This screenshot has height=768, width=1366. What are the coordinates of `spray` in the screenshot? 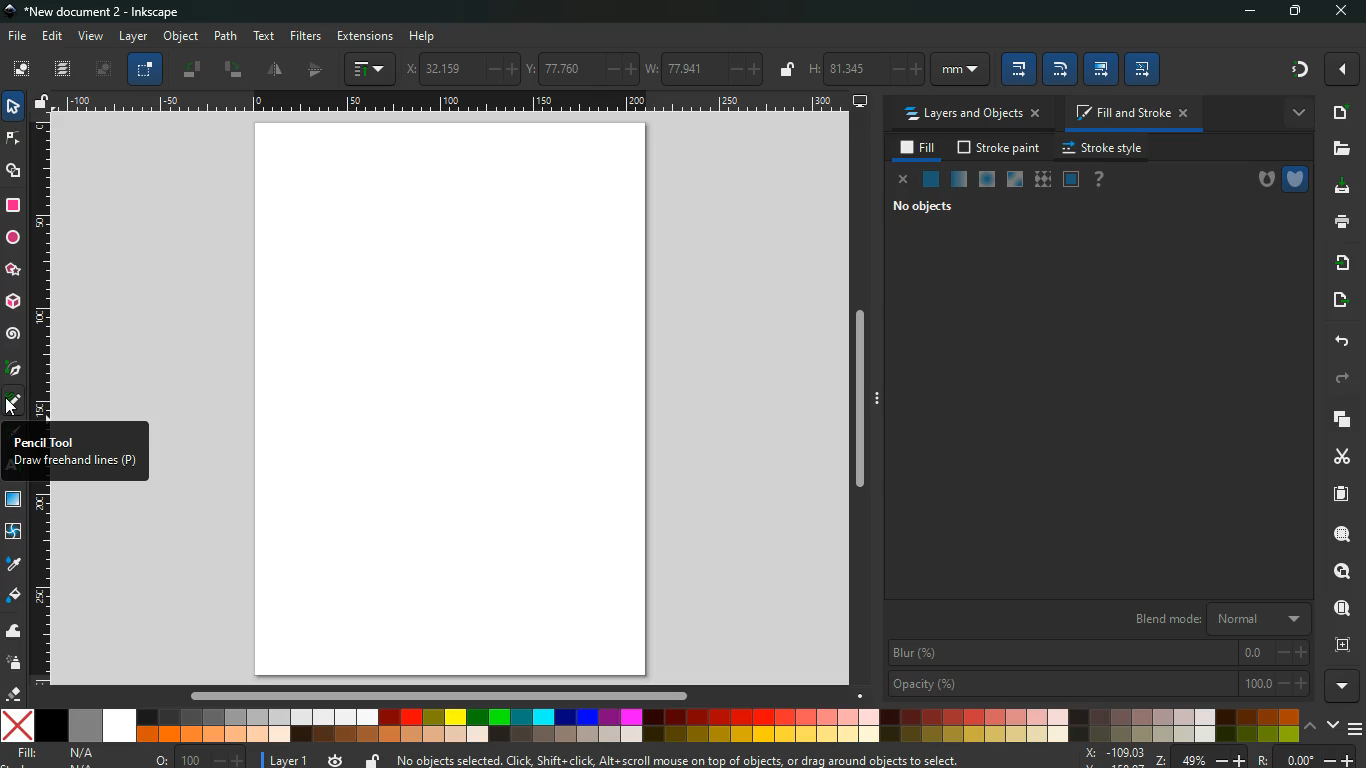 It's located at (15, 664).